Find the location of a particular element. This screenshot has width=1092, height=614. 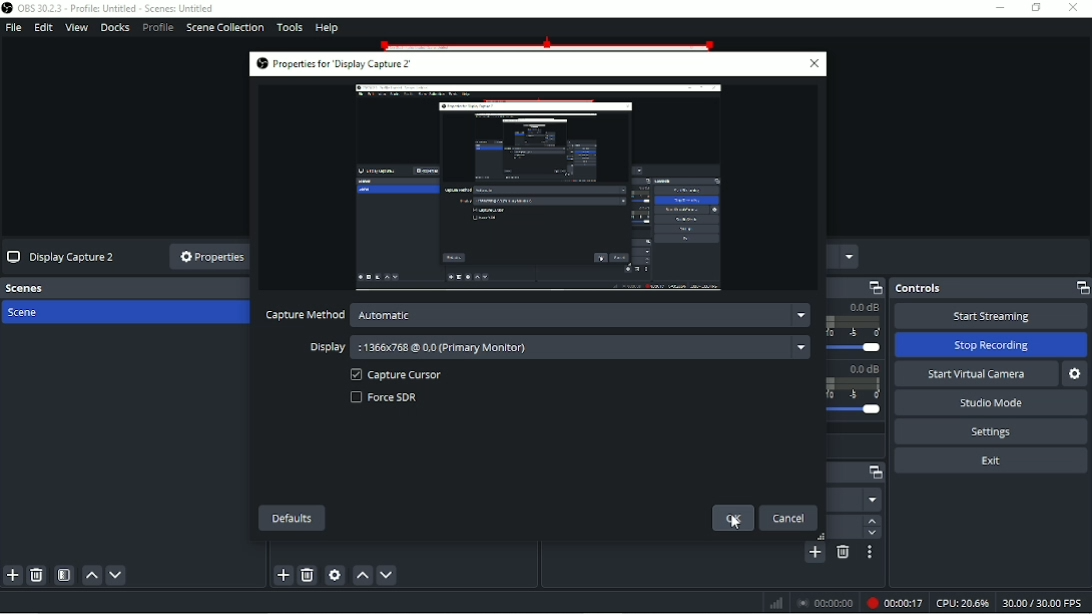

Exit is located at coordinates (991, 461).